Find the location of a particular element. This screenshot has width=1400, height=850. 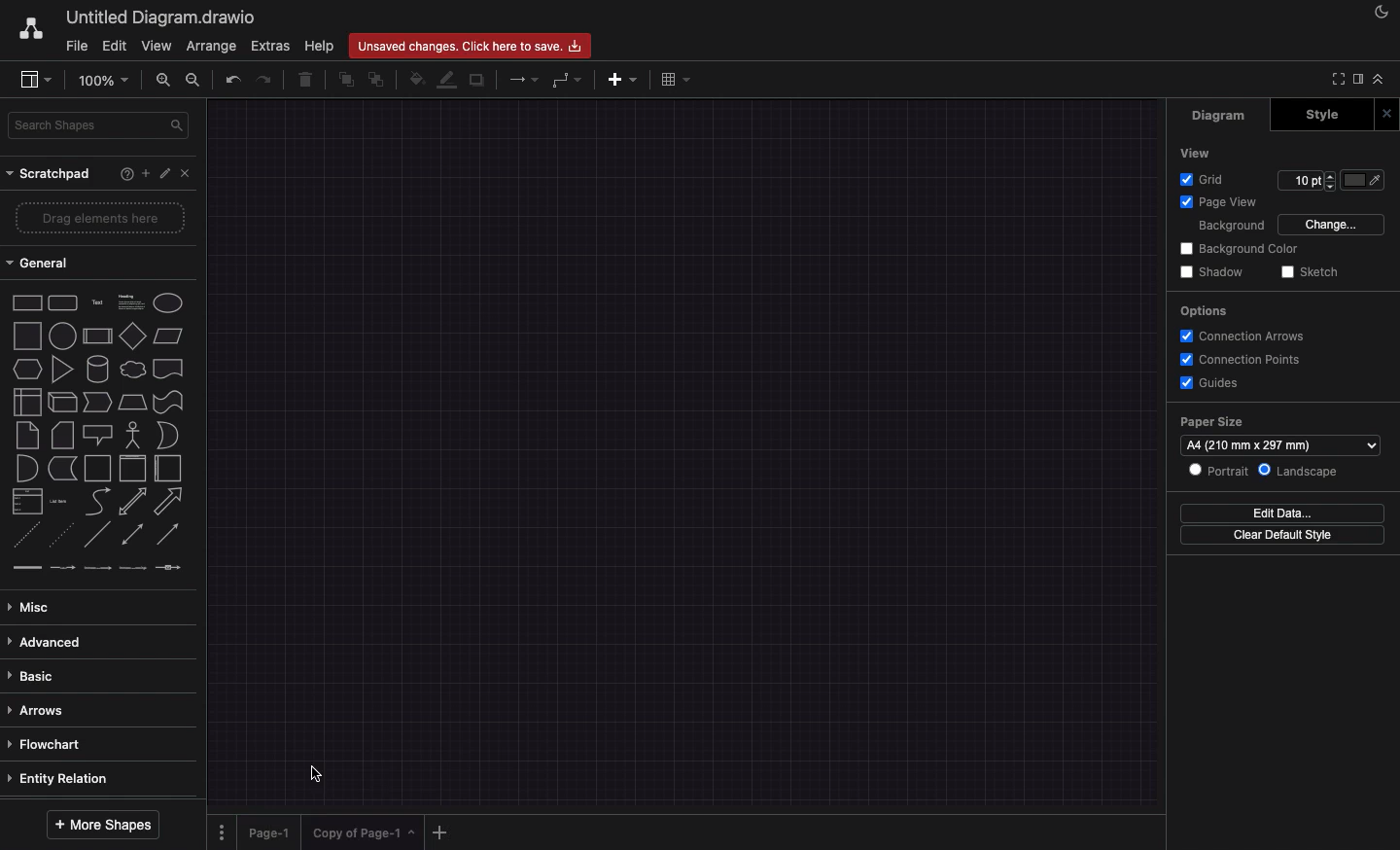

document is located at coordinates (169, 368).